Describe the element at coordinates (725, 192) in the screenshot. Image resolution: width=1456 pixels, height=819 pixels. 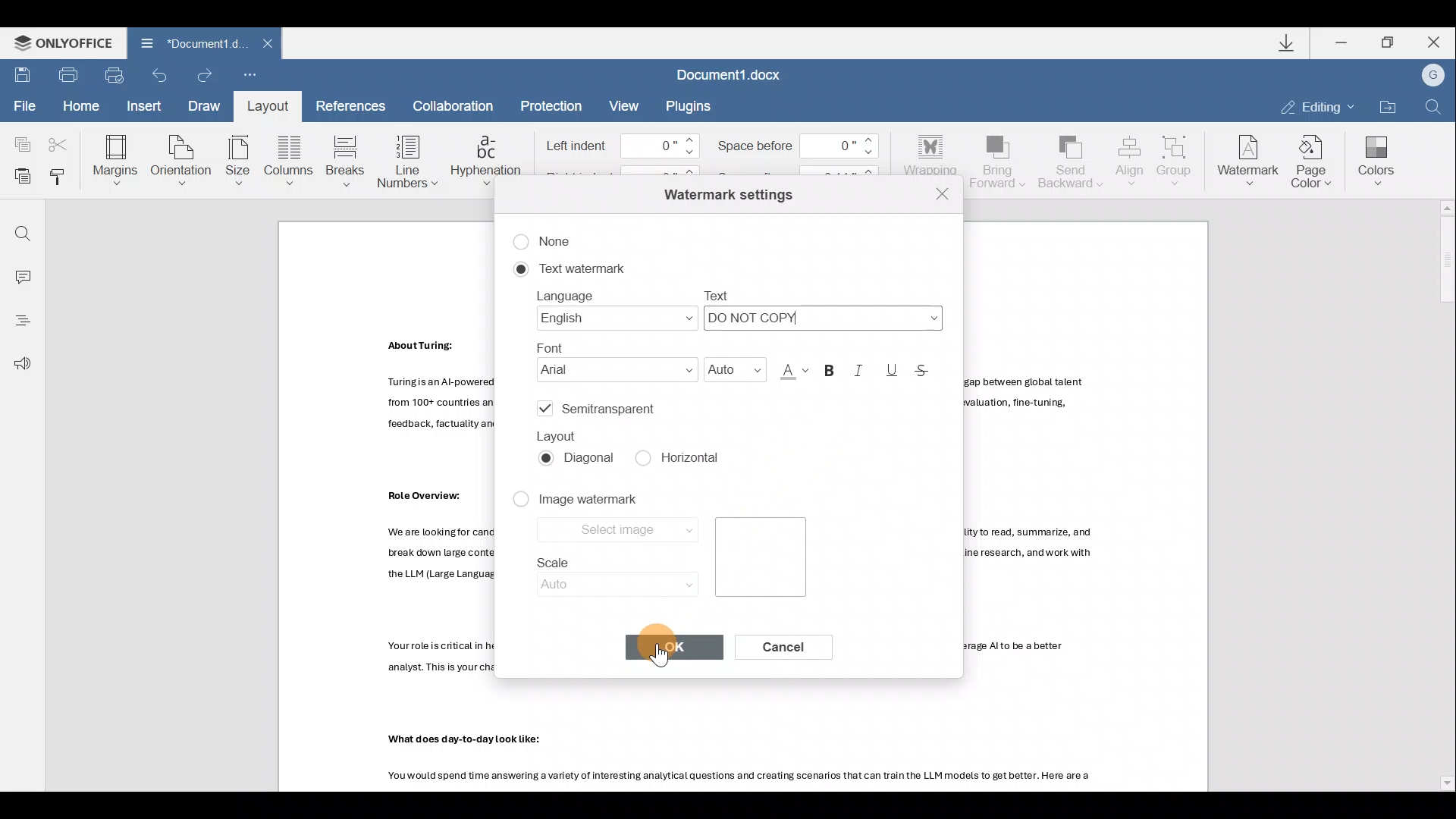
I see `Watermark settings` at that location.